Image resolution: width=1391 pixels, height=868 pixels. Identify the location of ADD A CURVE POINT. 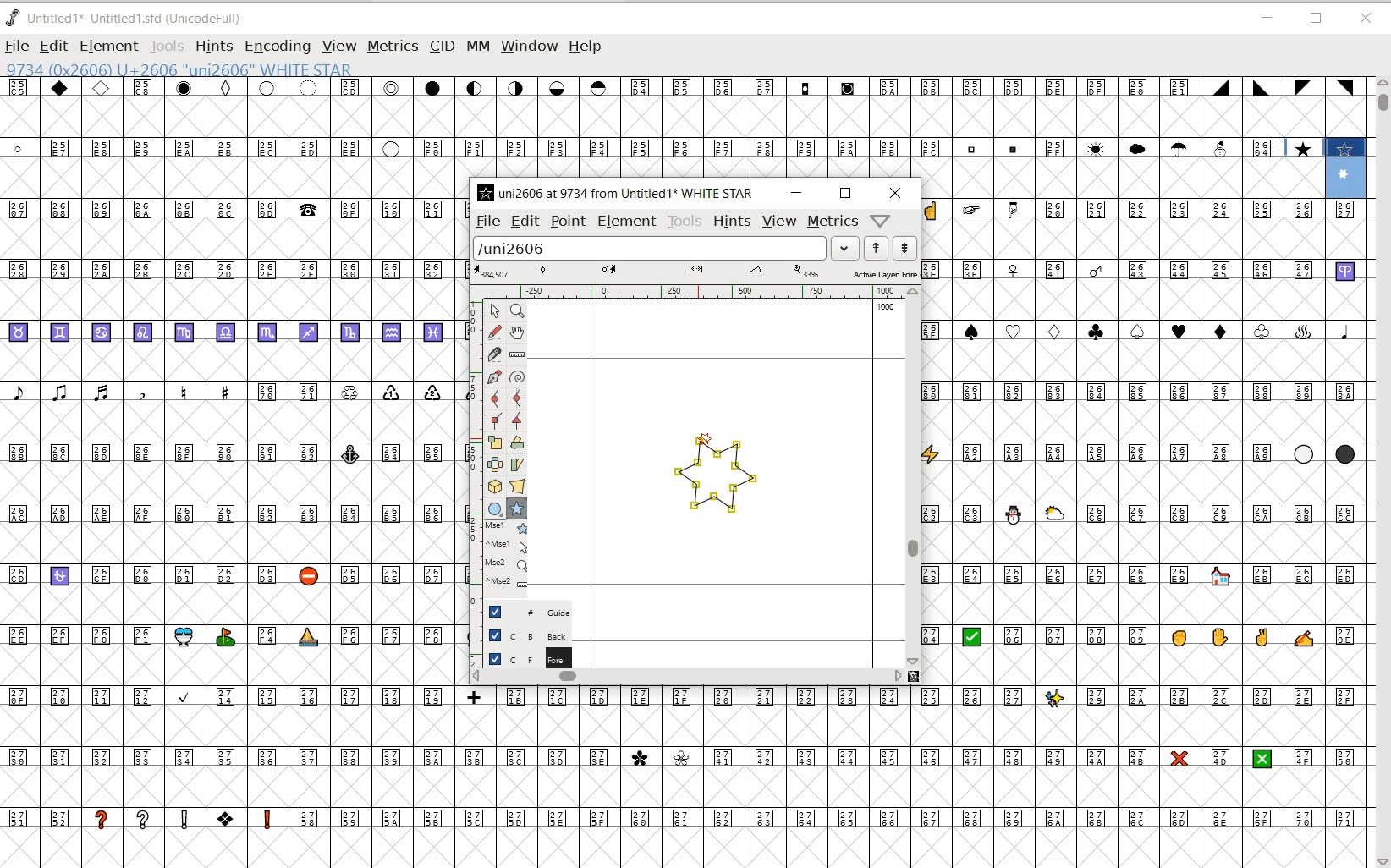
(498, 398).